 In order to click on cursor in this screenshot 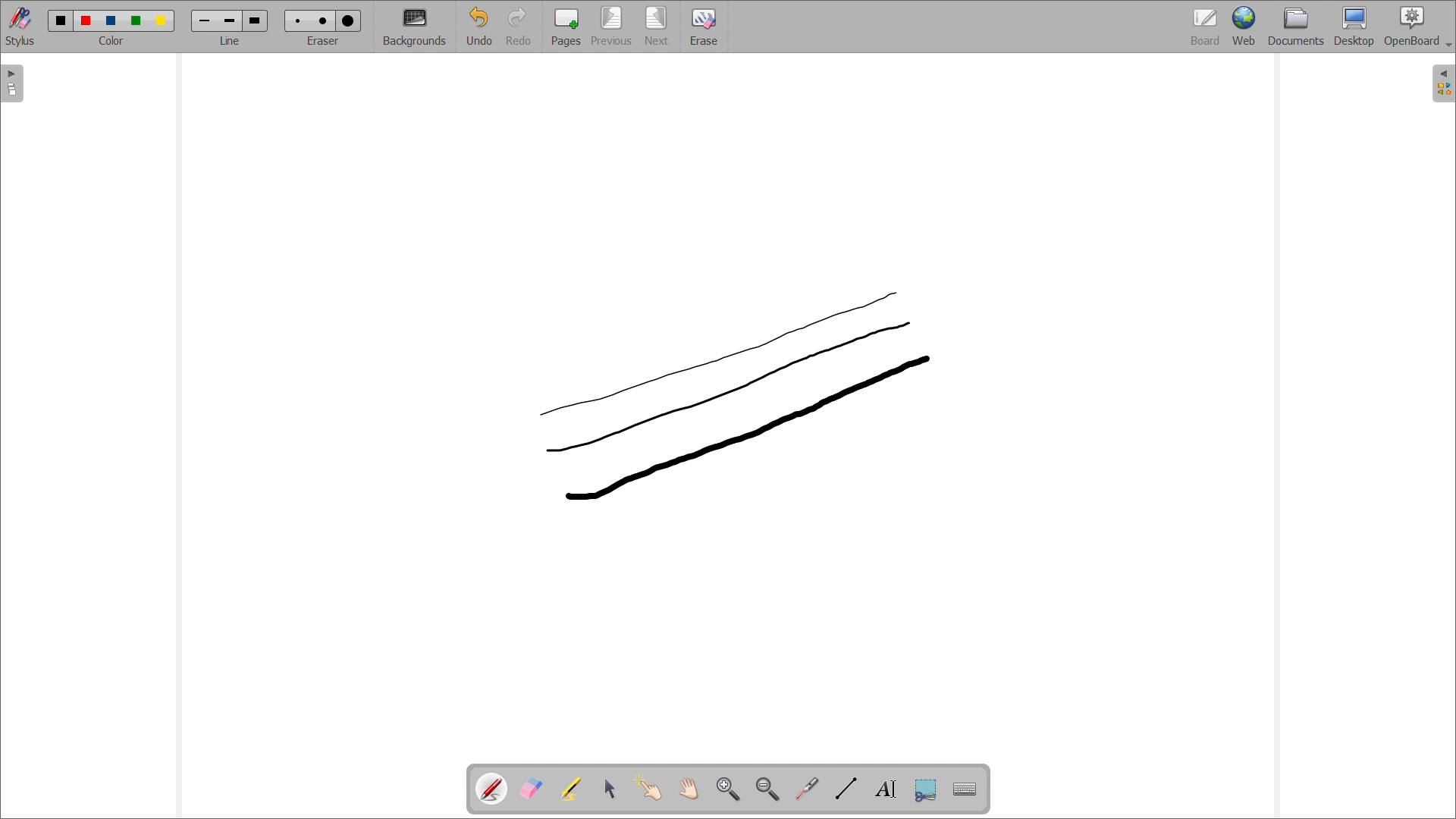, I will do `click(925, 358)`.